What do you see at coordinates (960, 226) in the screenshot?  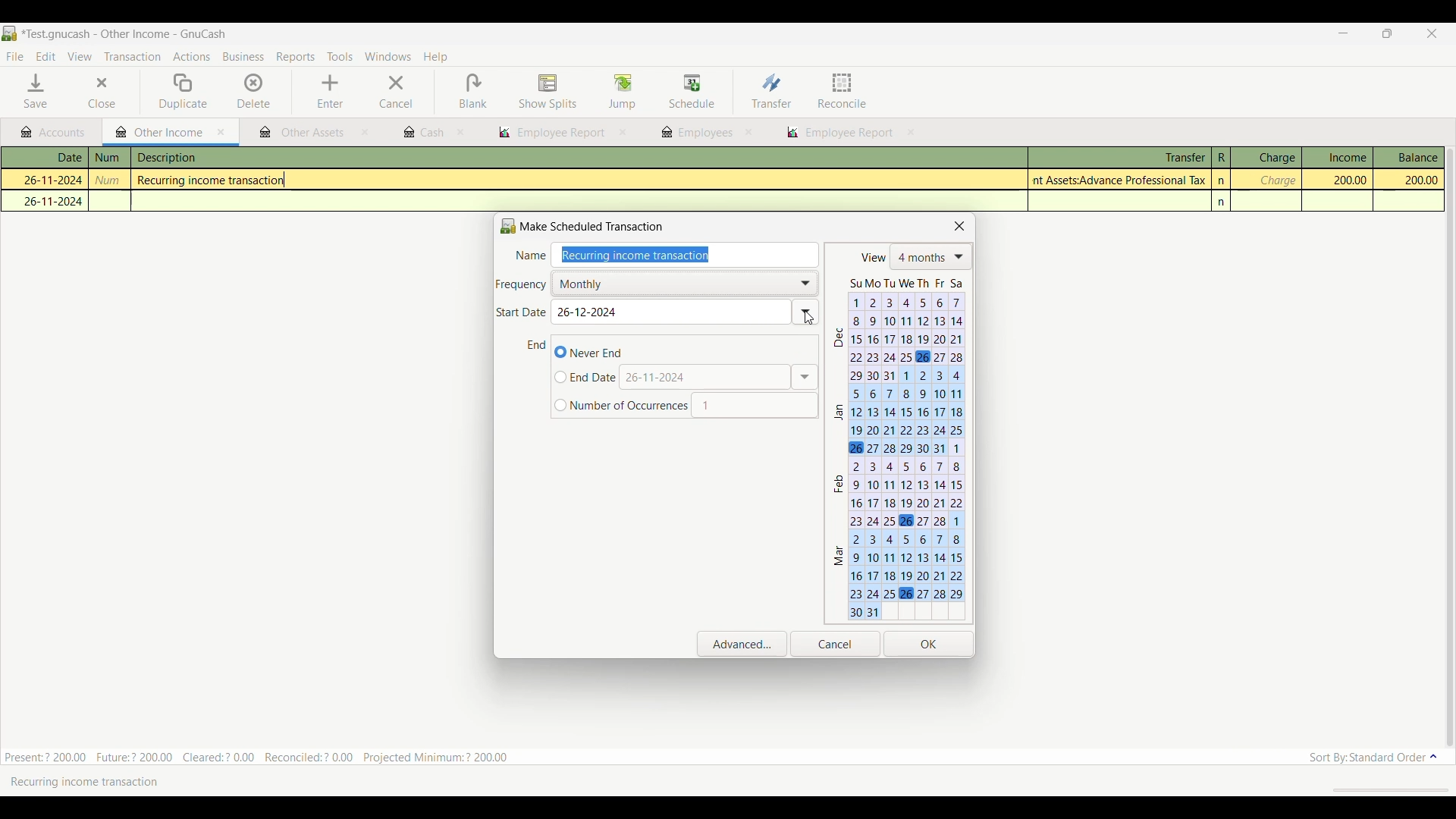 I see `Close scheduled ` at bounding box center [960, 226].